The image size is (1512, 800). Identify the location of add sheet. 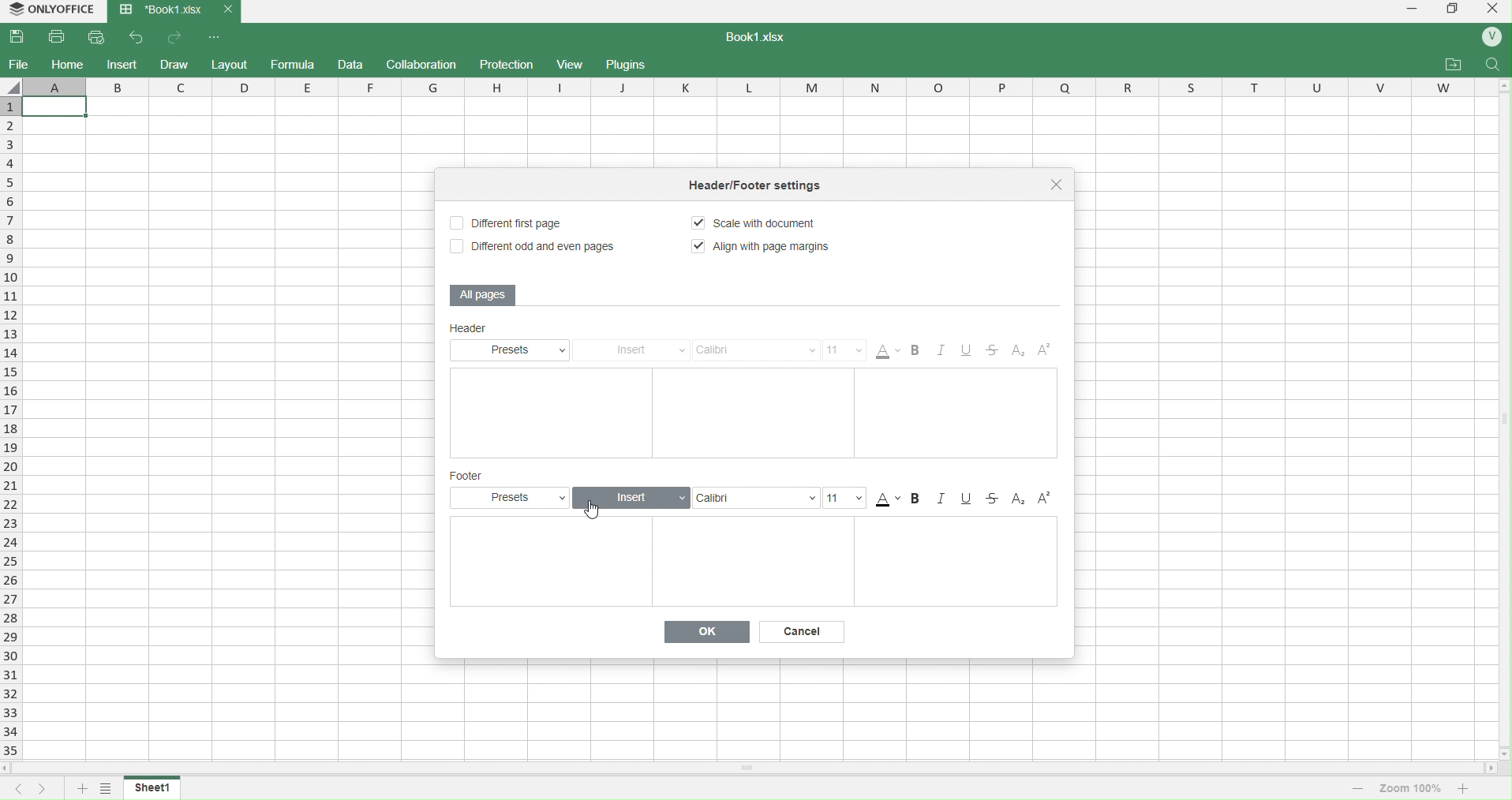
(80, 790).